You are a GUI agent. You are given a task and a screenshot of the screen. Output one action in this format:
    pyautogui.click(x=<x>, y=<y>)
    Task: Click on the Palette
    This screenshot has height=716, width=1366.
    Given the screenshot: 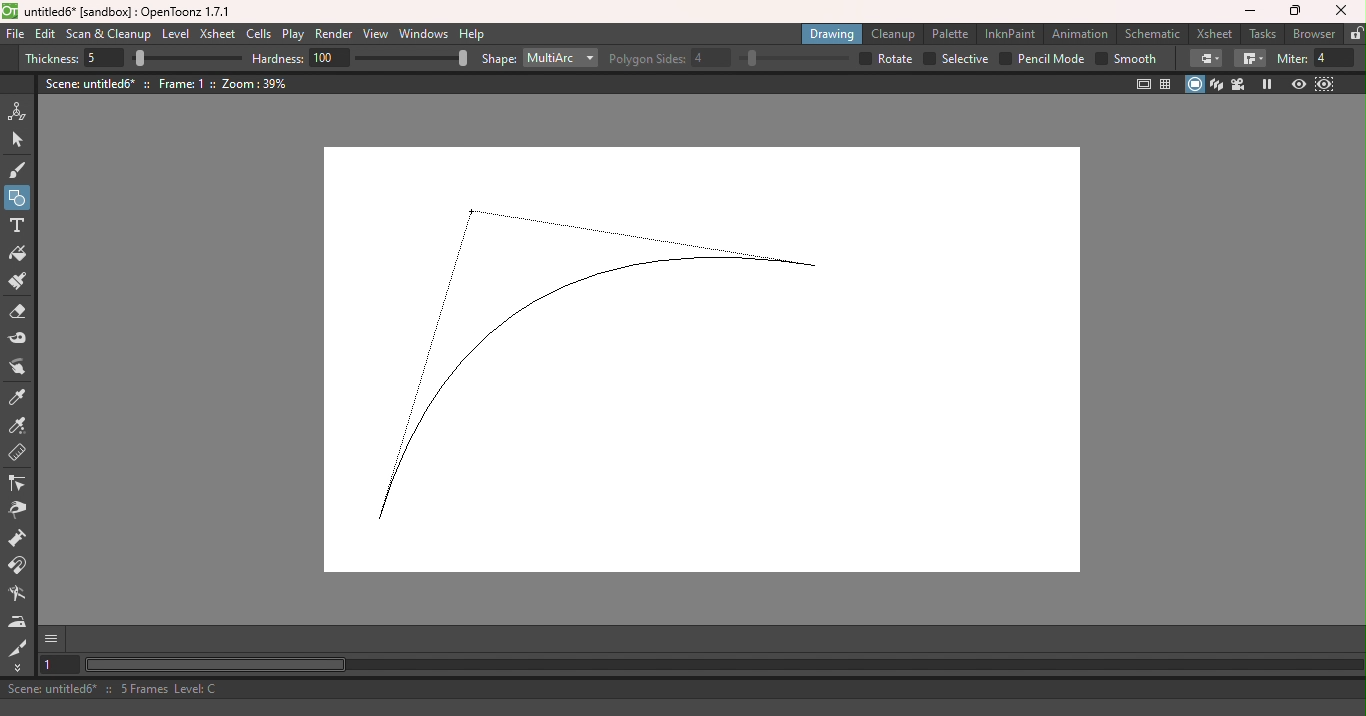 What is the action you would take?
    pyautogui.click(x=949, y=34)
    